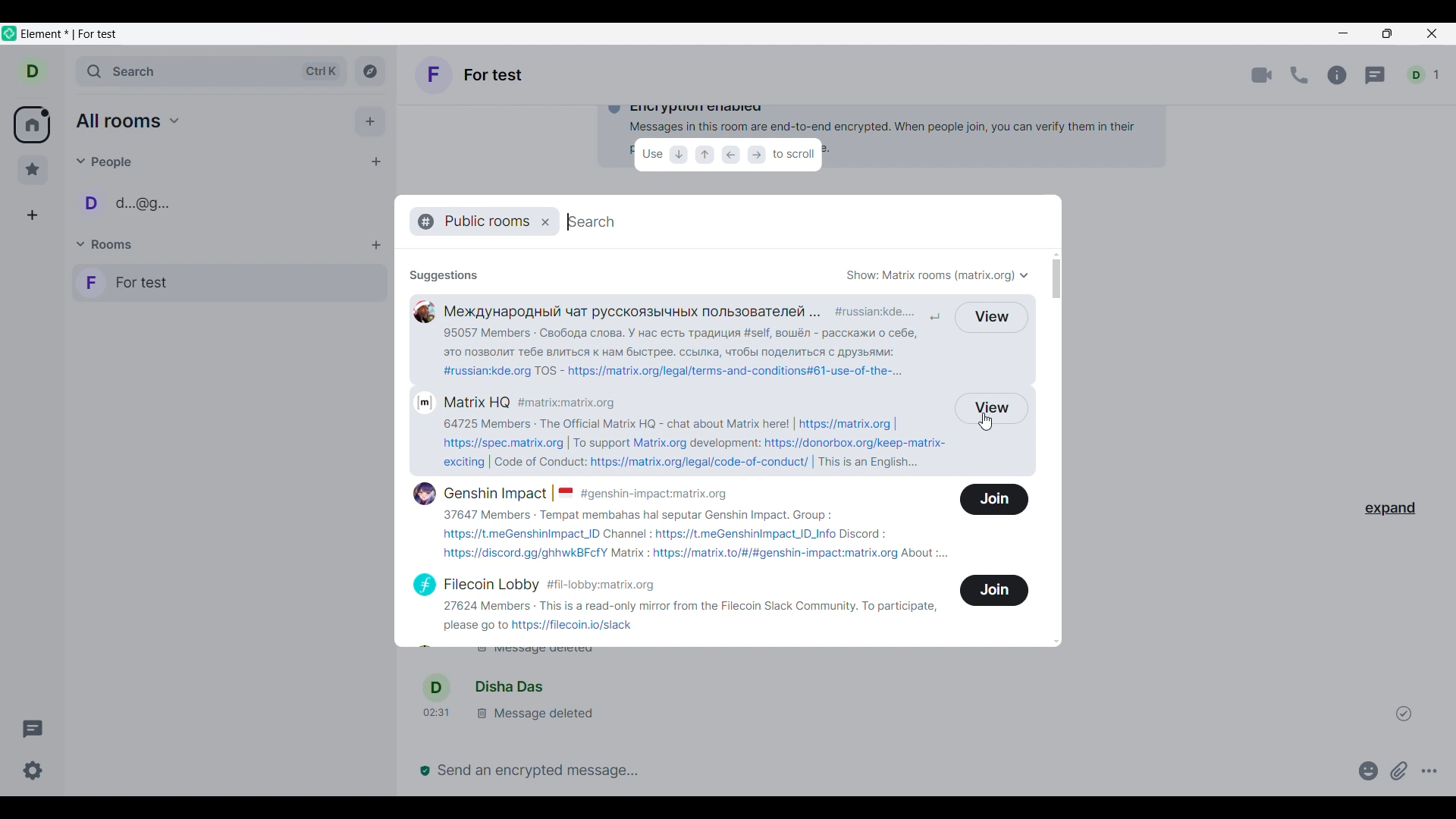 Image resolution: width=1456 pixels, height=819 pixels. What do you see at coordinates (874, 463) in the screenshot?
I see `this is an english...` at bounding box center [874, 463].